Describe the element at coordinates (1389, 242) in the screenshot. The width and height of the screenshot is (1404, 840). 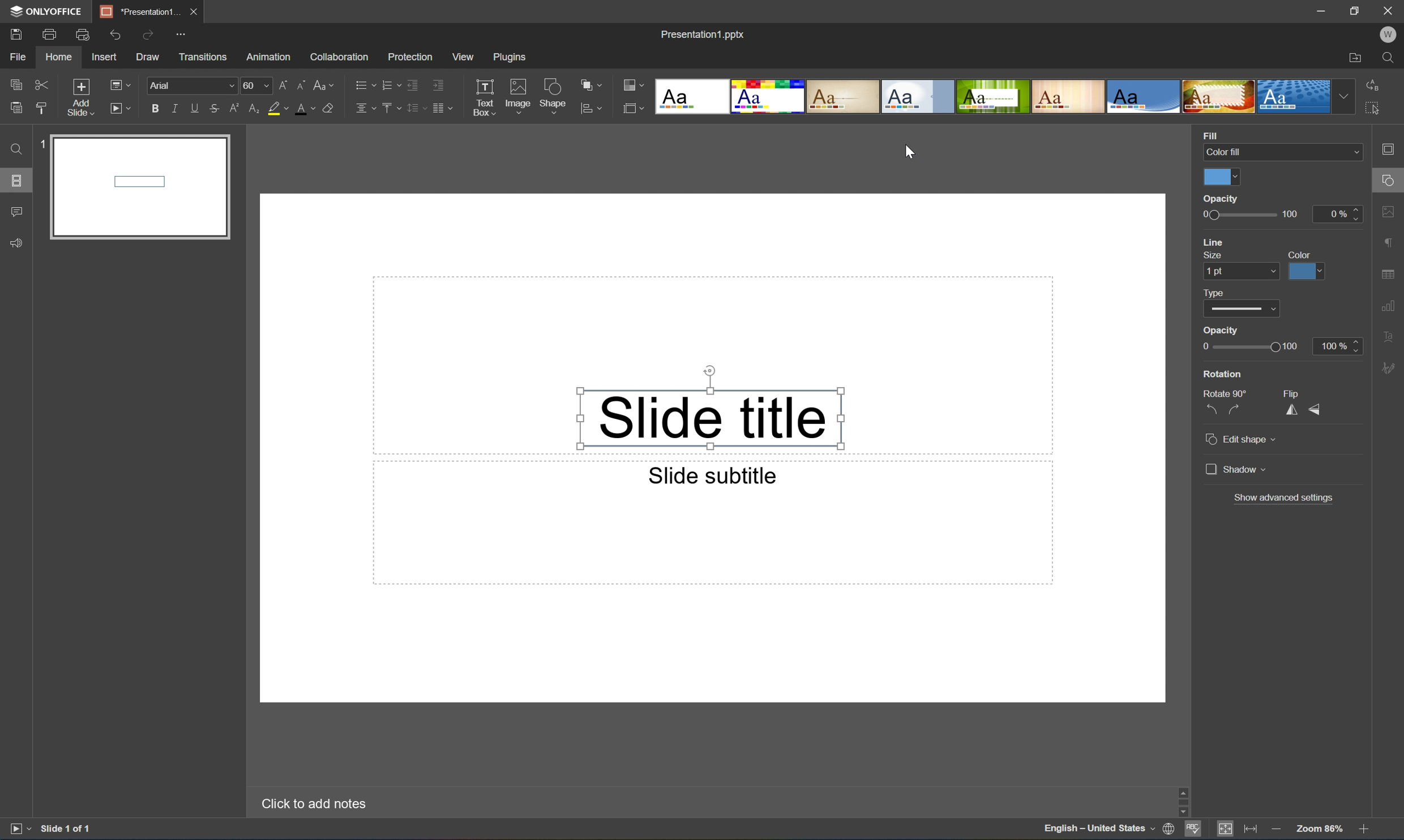
I see `paragraph settings` at that location.